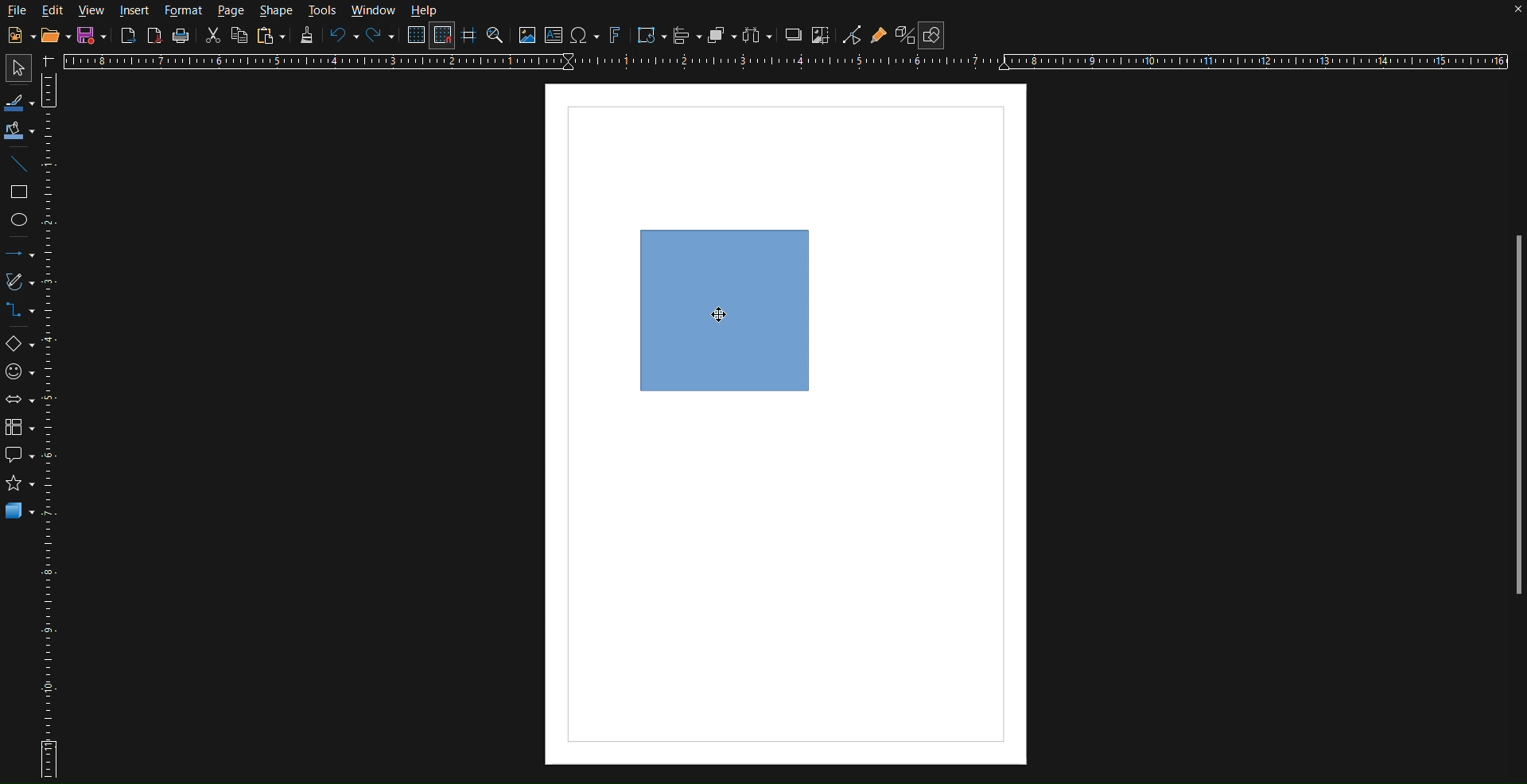 Image resolution: width=1527 pixels, height=784 pixels. I want to click on Cut, so click(214, 39).